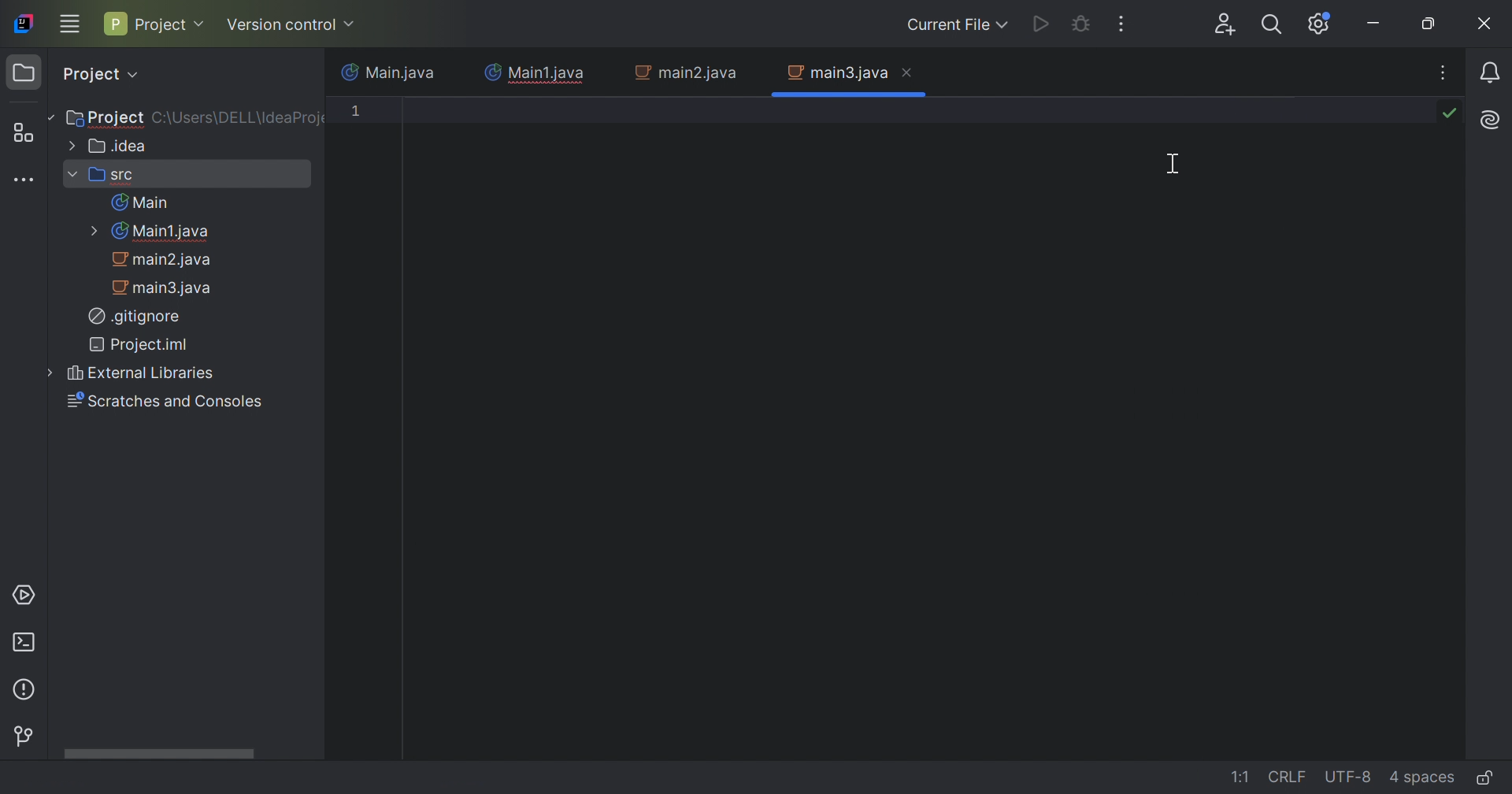  Describe the element at coordinates (359, 110) in the screenshot. I see `1` at that location.